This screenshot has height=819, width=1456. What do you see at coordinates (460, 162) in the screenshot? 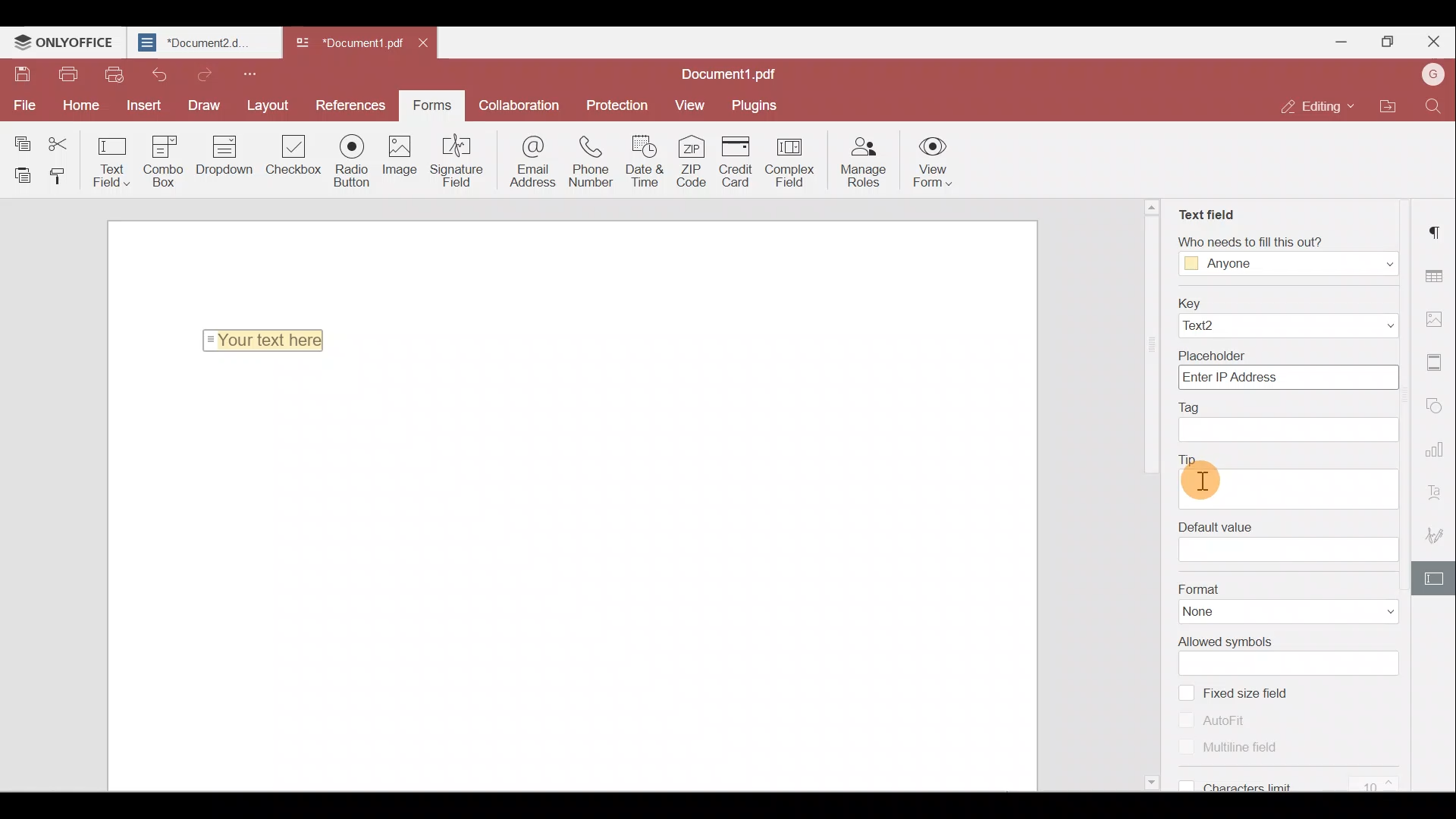
I see `Signature field` at bounding box center [460, 162].